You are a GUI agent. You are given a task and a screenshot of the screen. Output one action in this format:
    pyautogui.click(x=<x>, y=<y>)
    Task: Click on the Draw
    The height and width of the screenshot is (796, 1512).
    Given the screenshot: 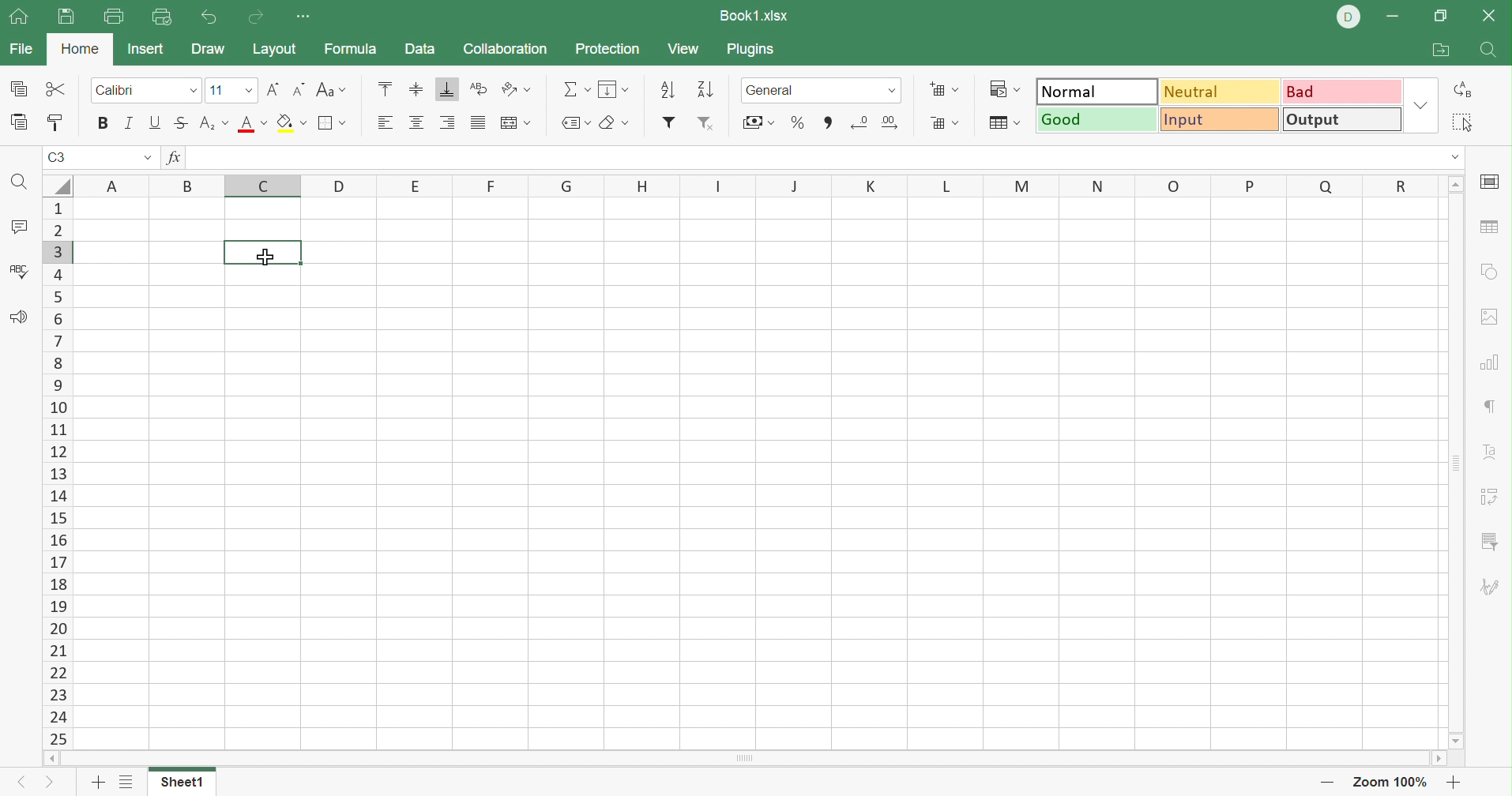 What is the action you would take?
    pyautogui.click(x=207, y=47)
    